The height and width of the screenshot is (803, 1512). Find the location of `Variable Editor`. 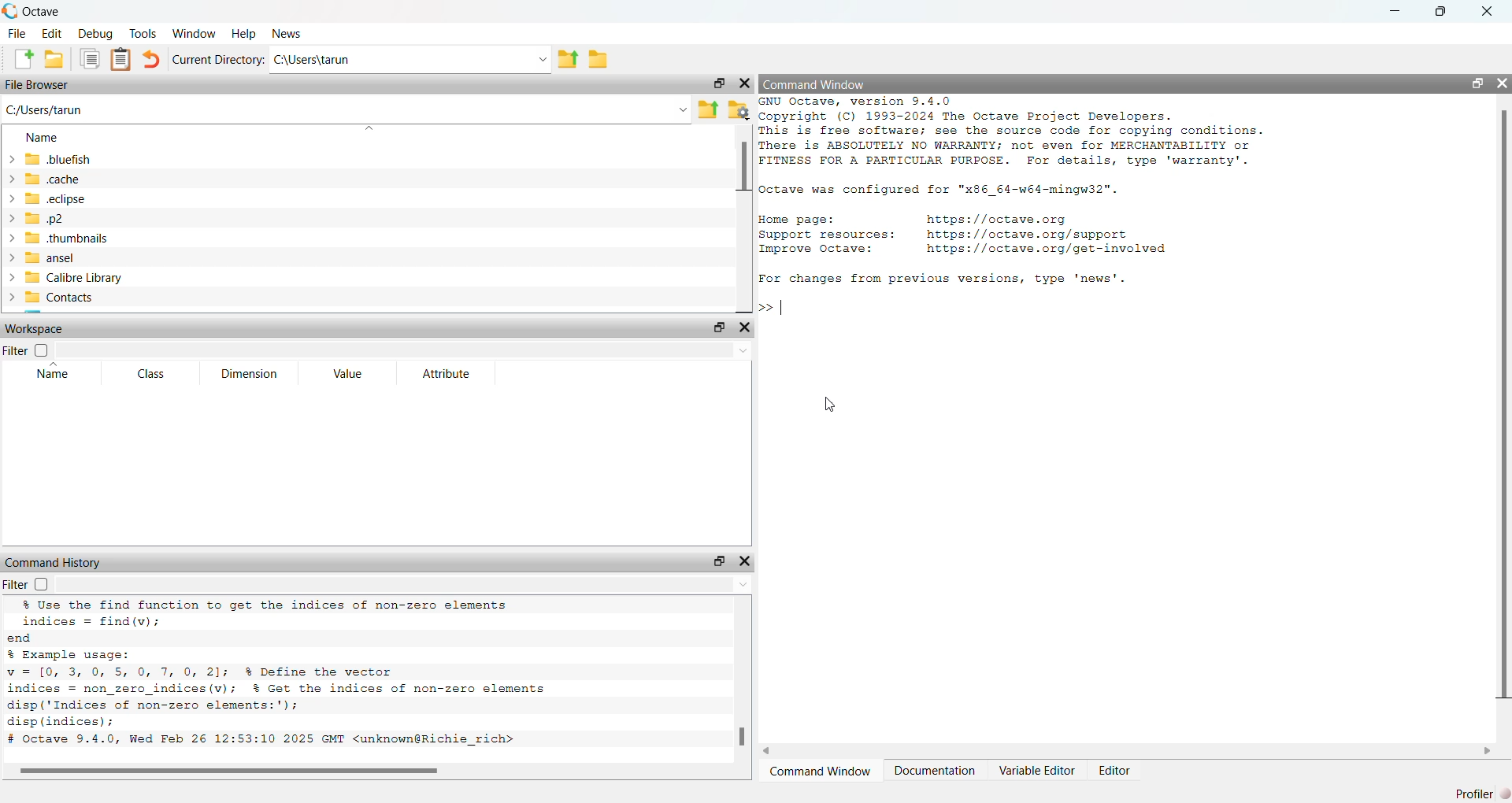

Variable Editor is located at coordinates (1036, 772).